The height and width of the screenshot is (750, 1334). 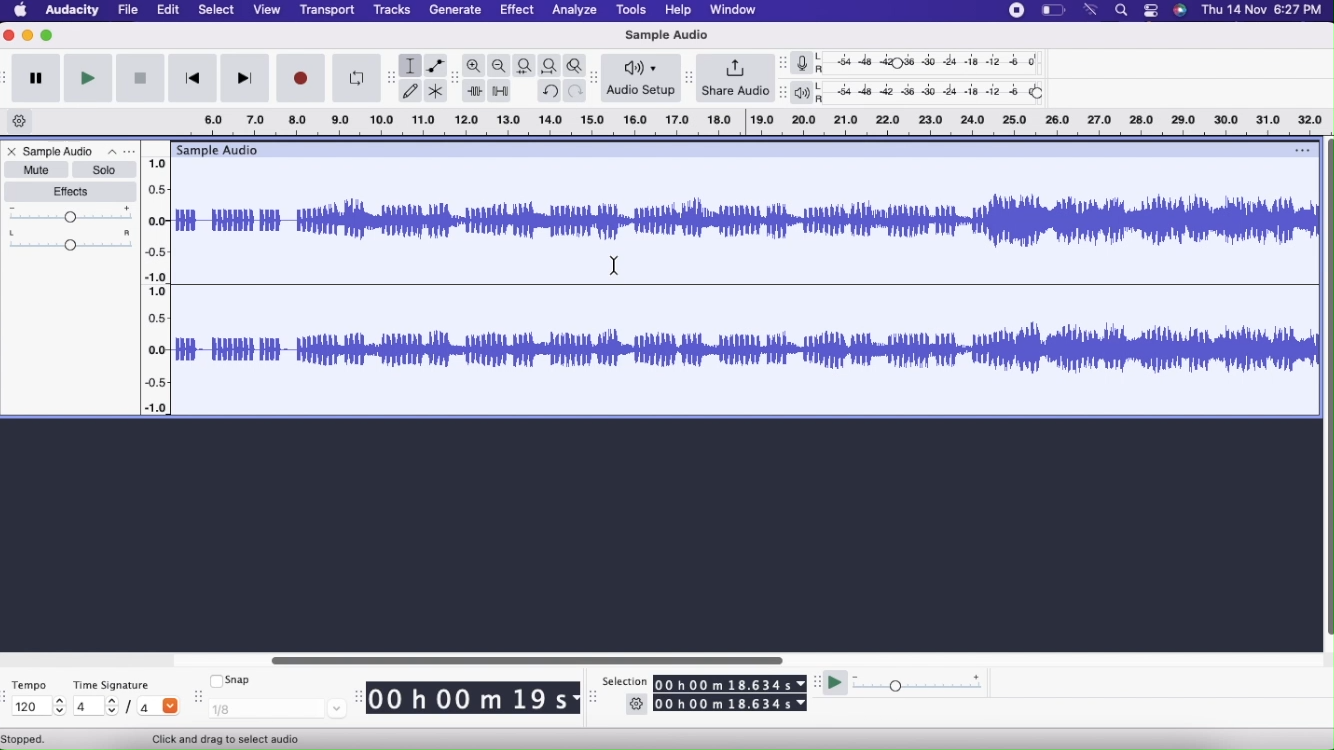 What do you see at coordinates (551, 66) in the screenshot?
I see `Fit Project to width` at bounding box center [551, 66].